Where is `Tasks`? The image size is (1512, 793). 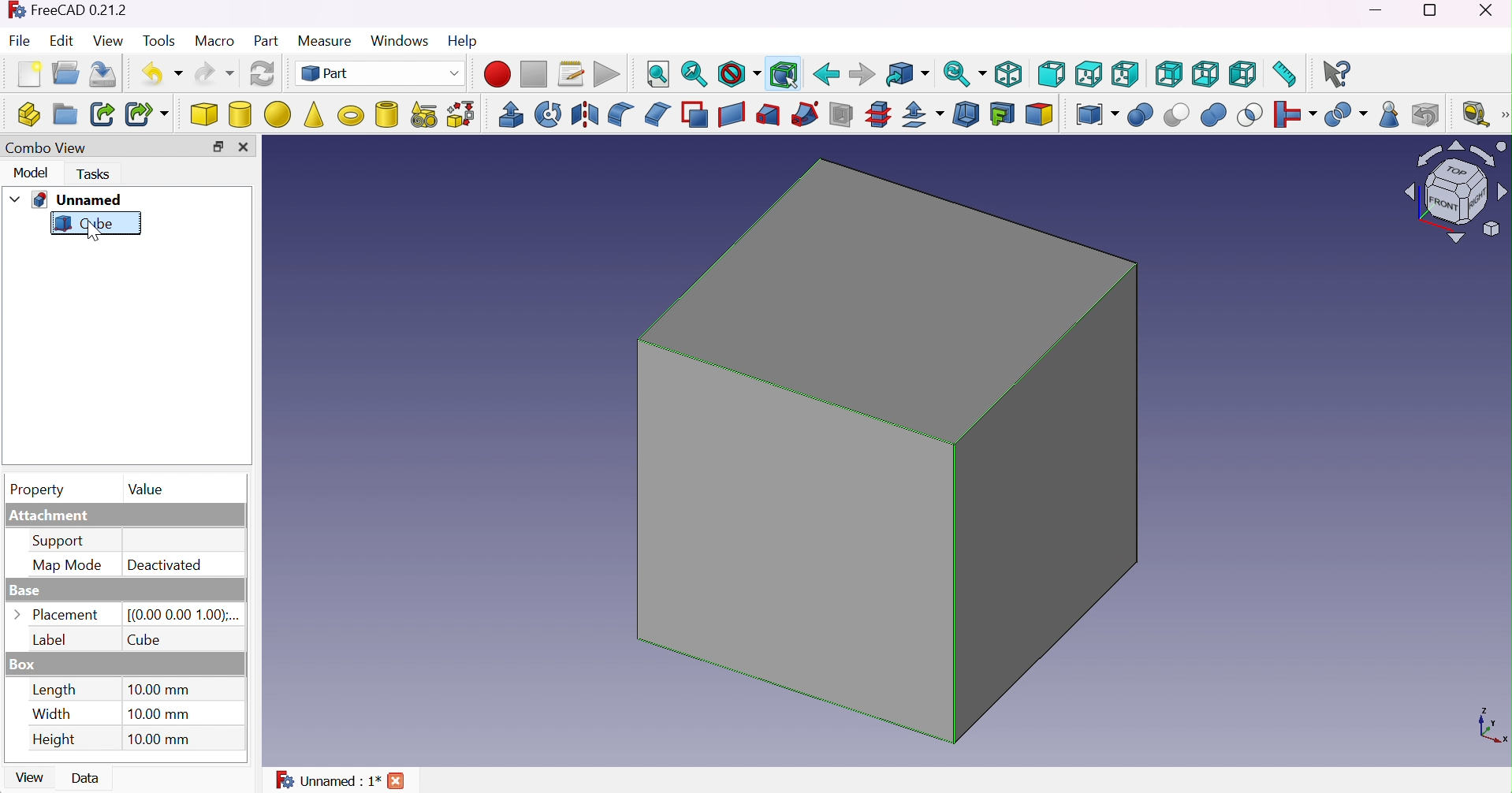
Tasks is located at coordinates (96, 174).